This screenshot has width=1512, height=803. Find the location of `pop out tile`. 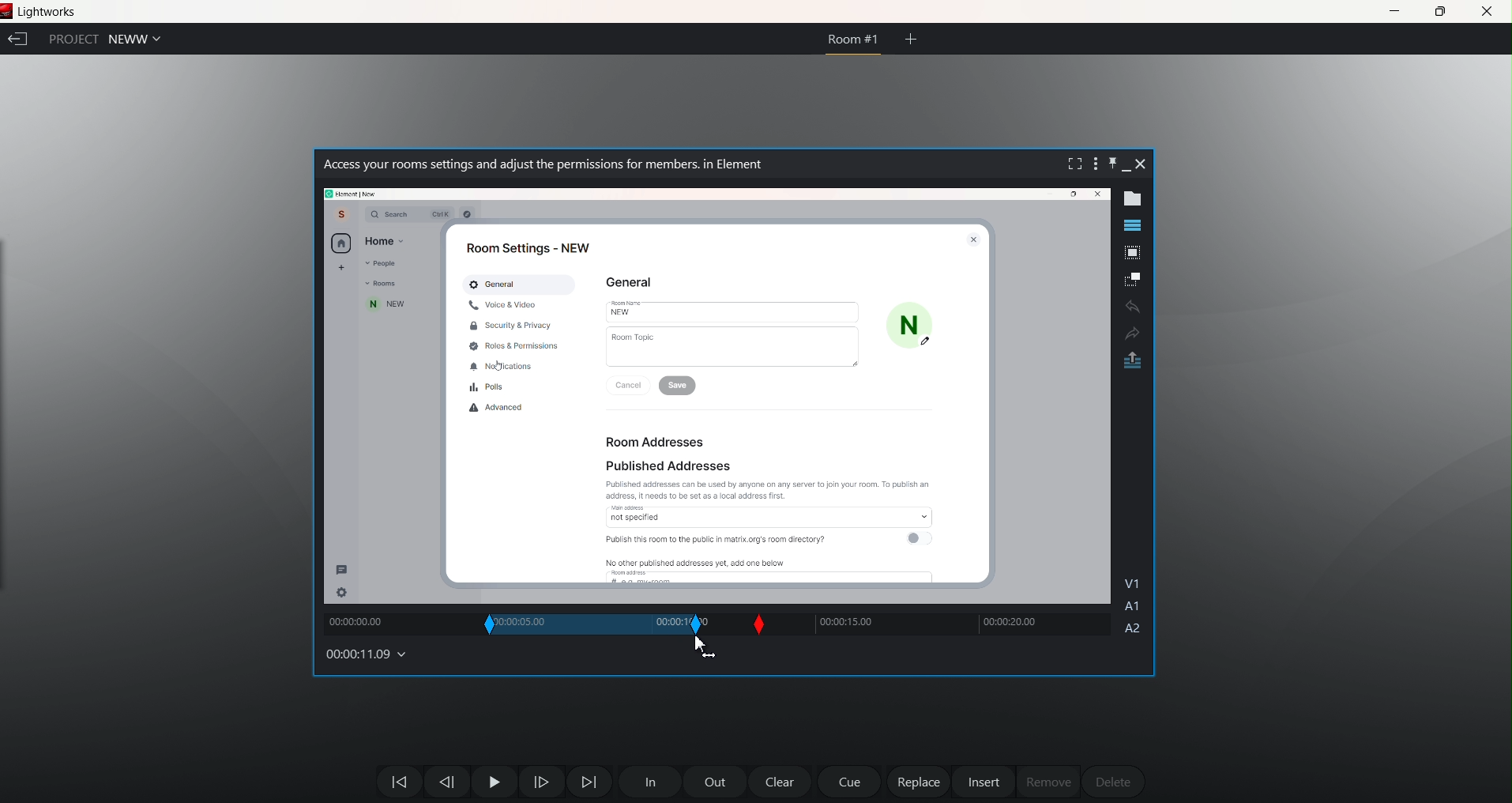

pop out tile is located at coordinates (1134, 252).